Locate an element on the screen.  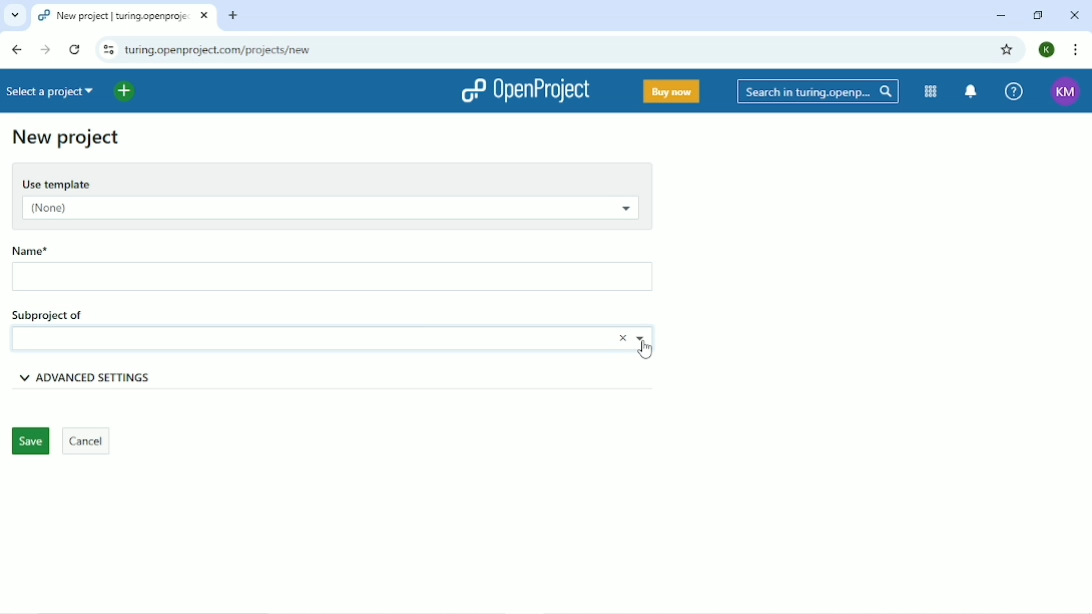
Save is located at coordinates (29, 442).